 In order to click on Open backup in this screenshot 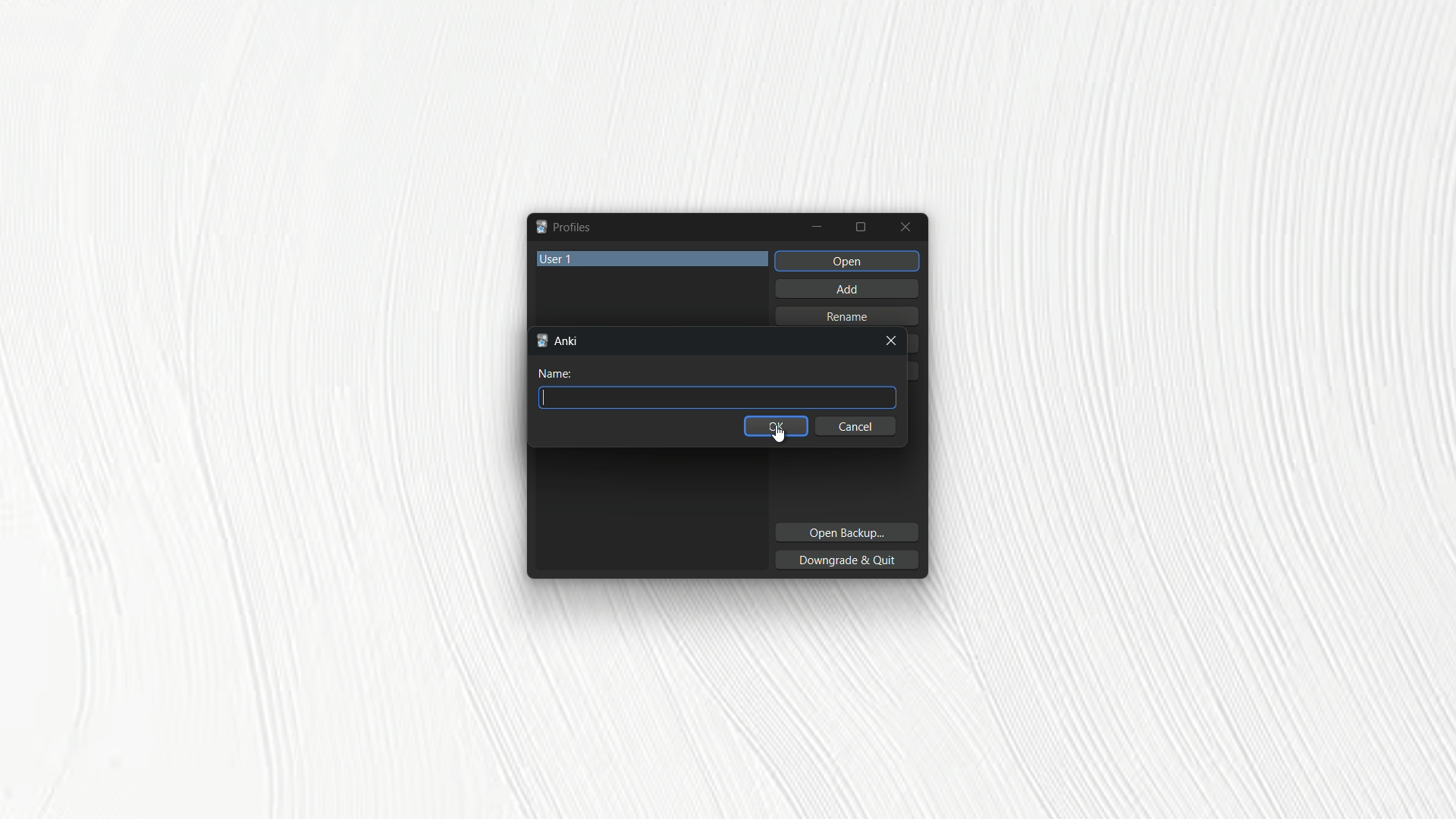, I will do `click(845, 534)`.